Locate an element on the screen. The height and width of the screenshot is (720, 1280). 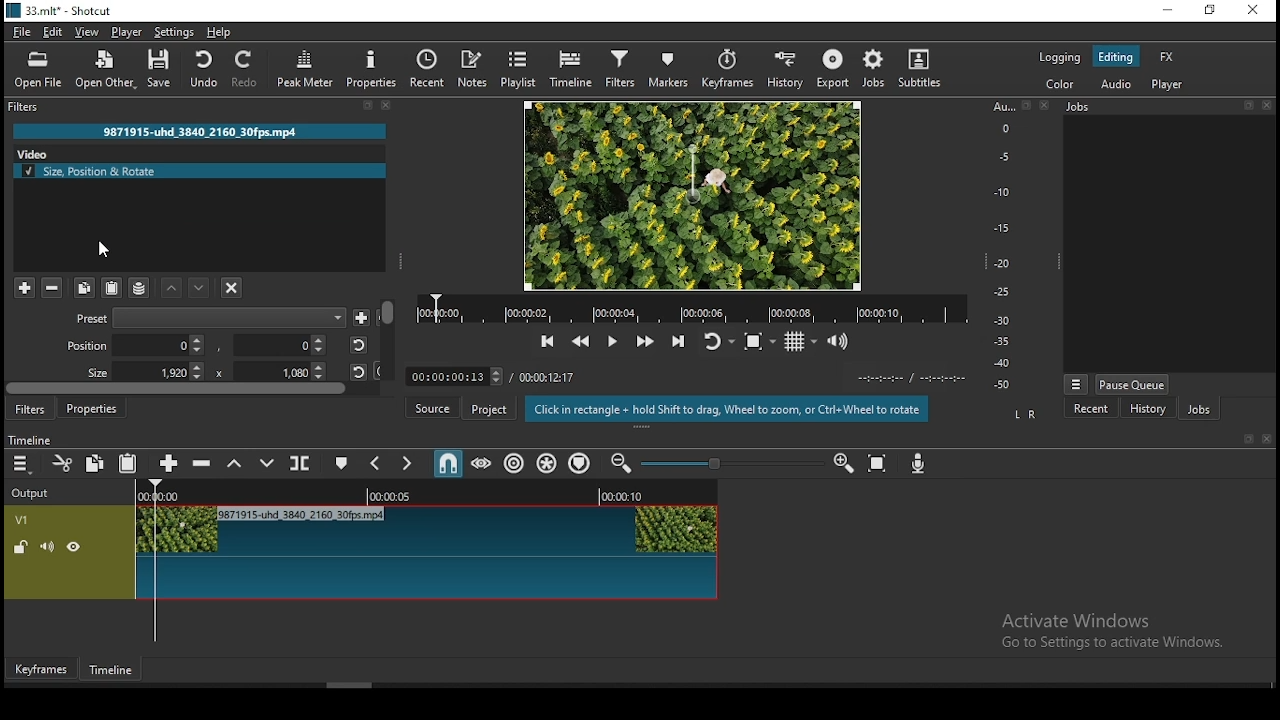
restore is located at coordinates (1206, 13).